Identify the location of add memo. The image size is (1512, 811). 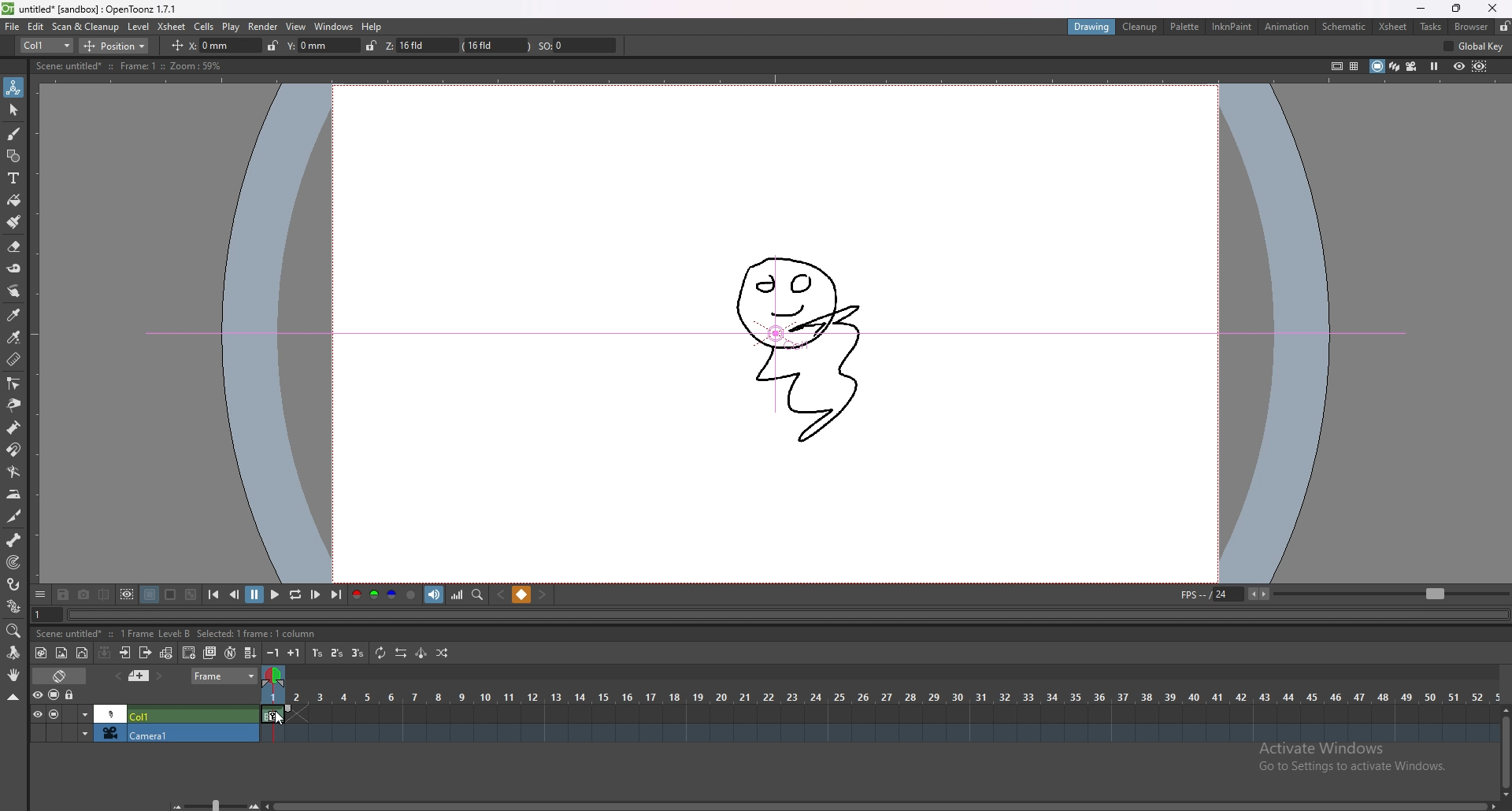
(139, 676).